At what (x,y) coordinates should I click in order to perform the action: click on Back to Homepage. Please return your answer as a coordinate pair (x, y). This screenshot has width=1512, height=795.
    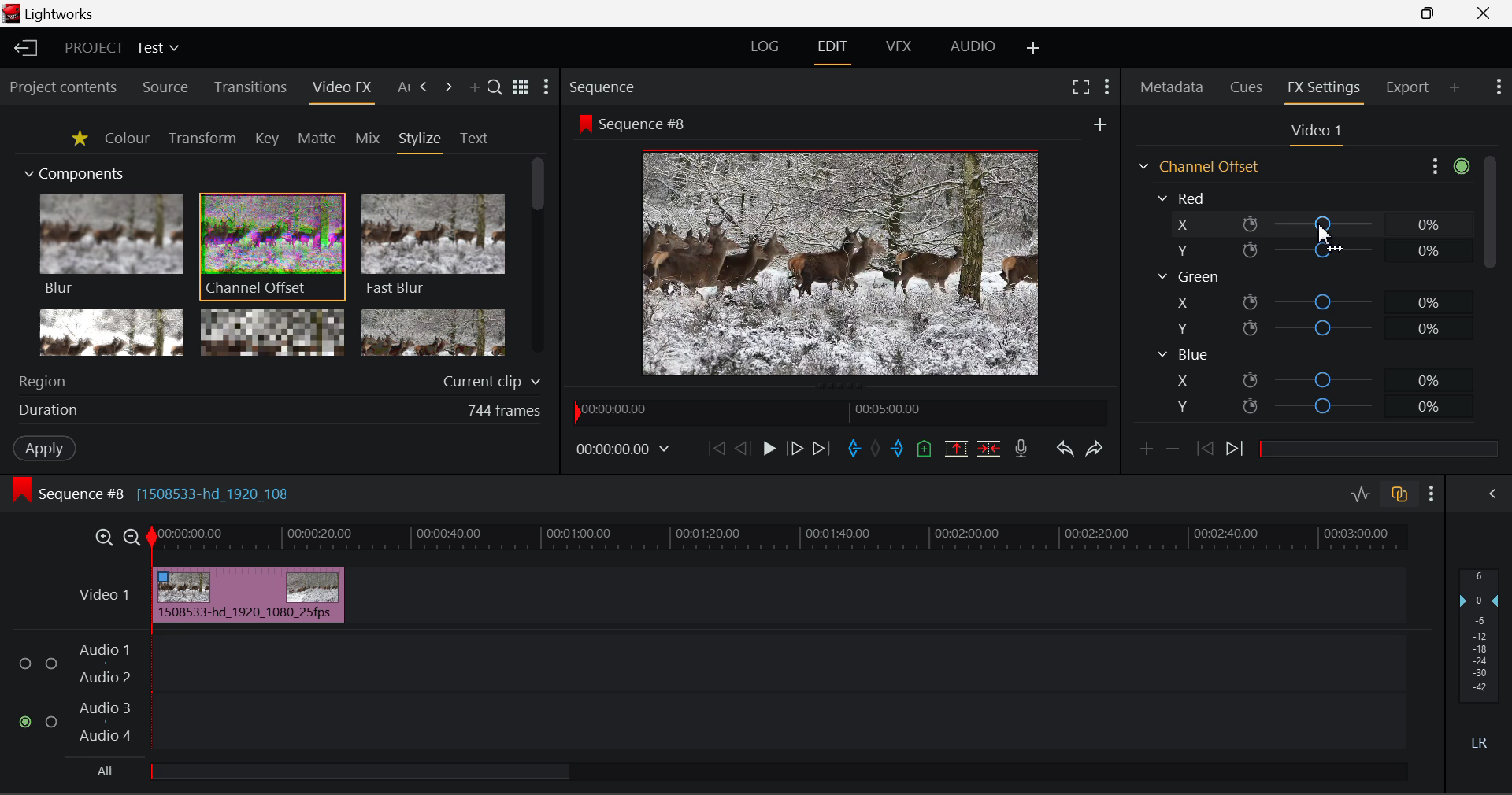
    Looking at the image, I should click on (24, 49).